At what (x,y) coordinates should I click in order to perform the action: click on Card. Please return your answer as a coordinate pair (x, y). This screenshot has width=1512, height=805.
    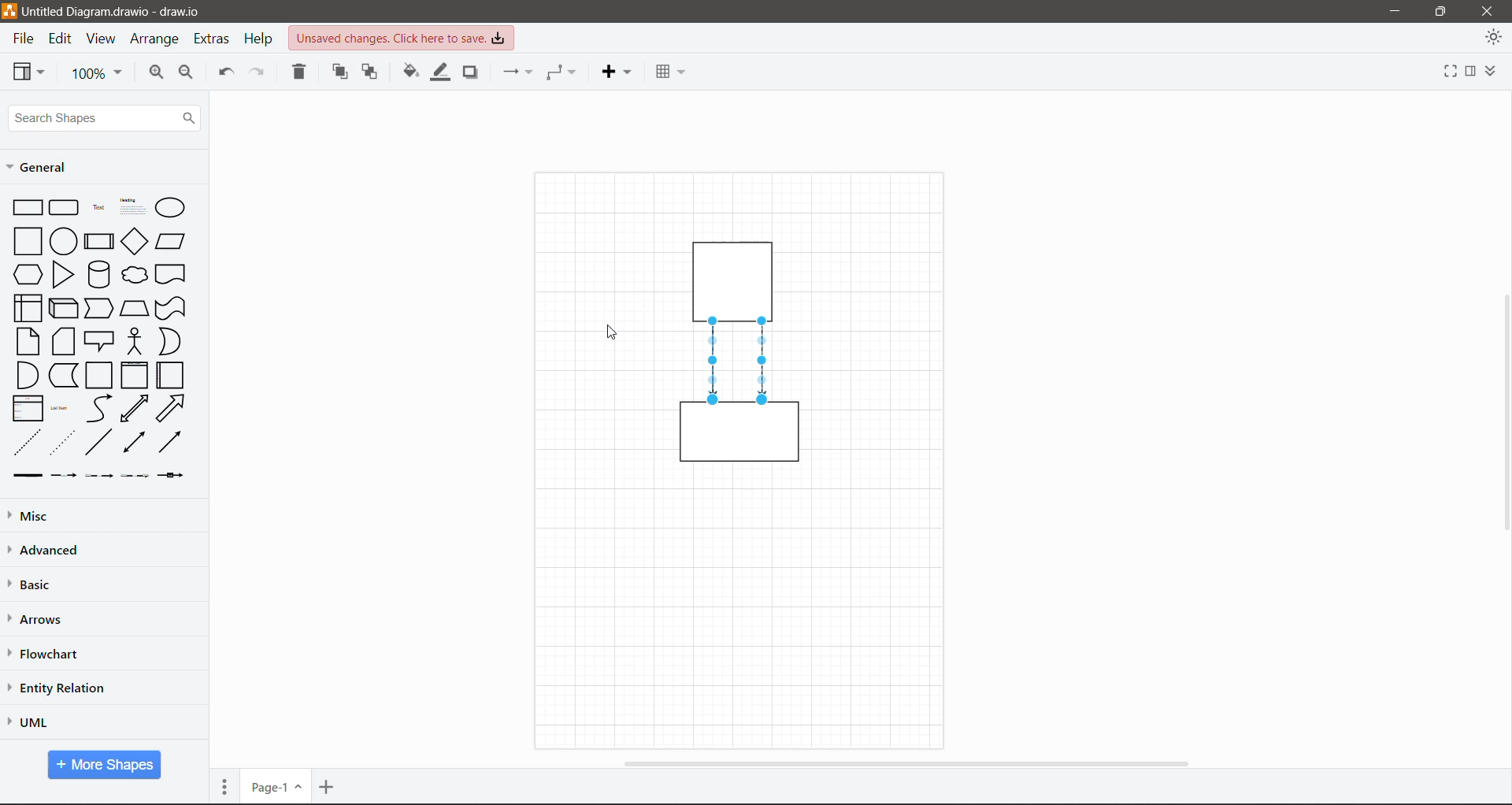
    Looking at the image, I should click on (63, 341).